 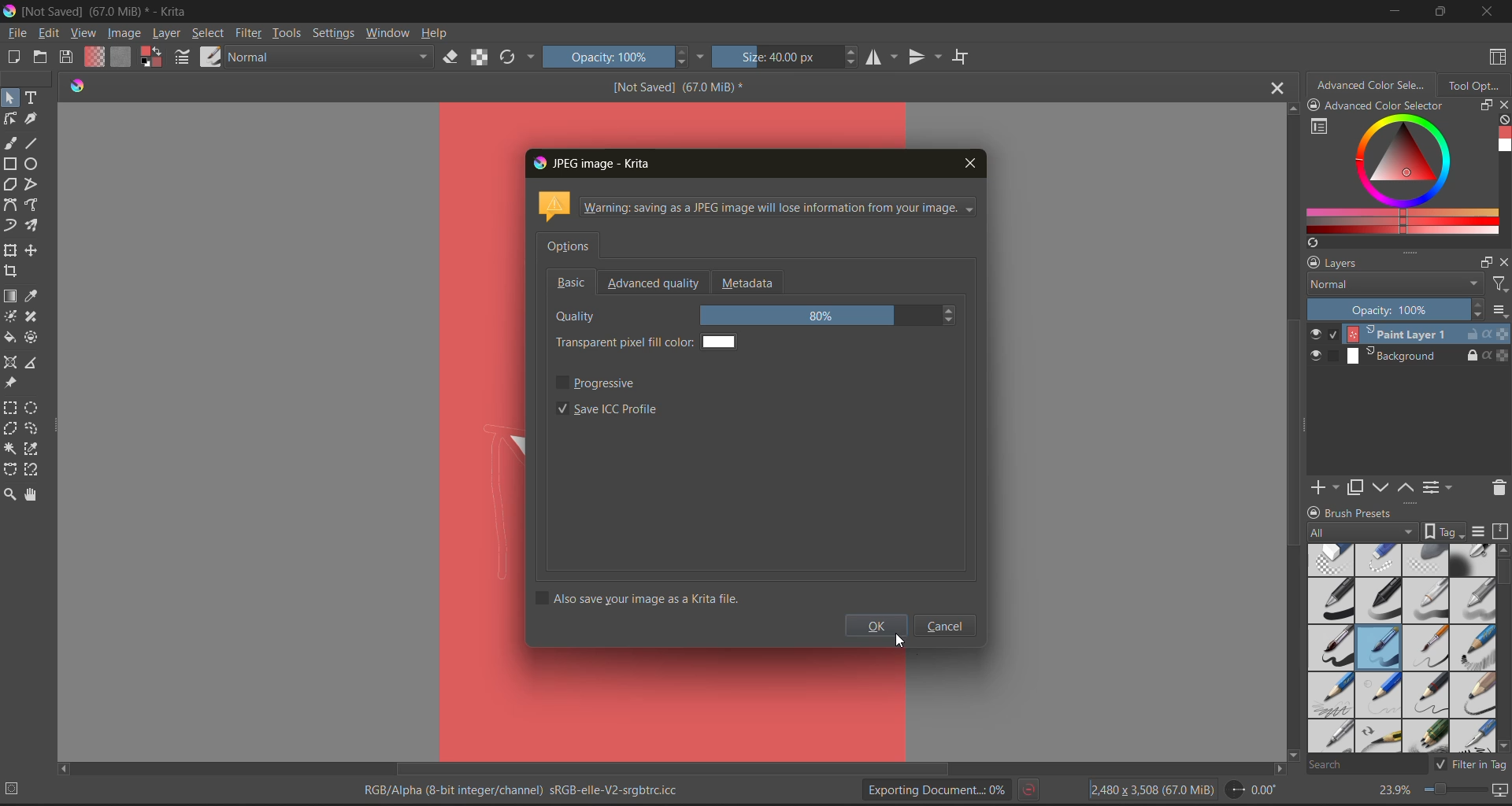 What do you see at coordinates (574, 282) in the screenshot?
I see `basic` at bounding box center [574, 282].